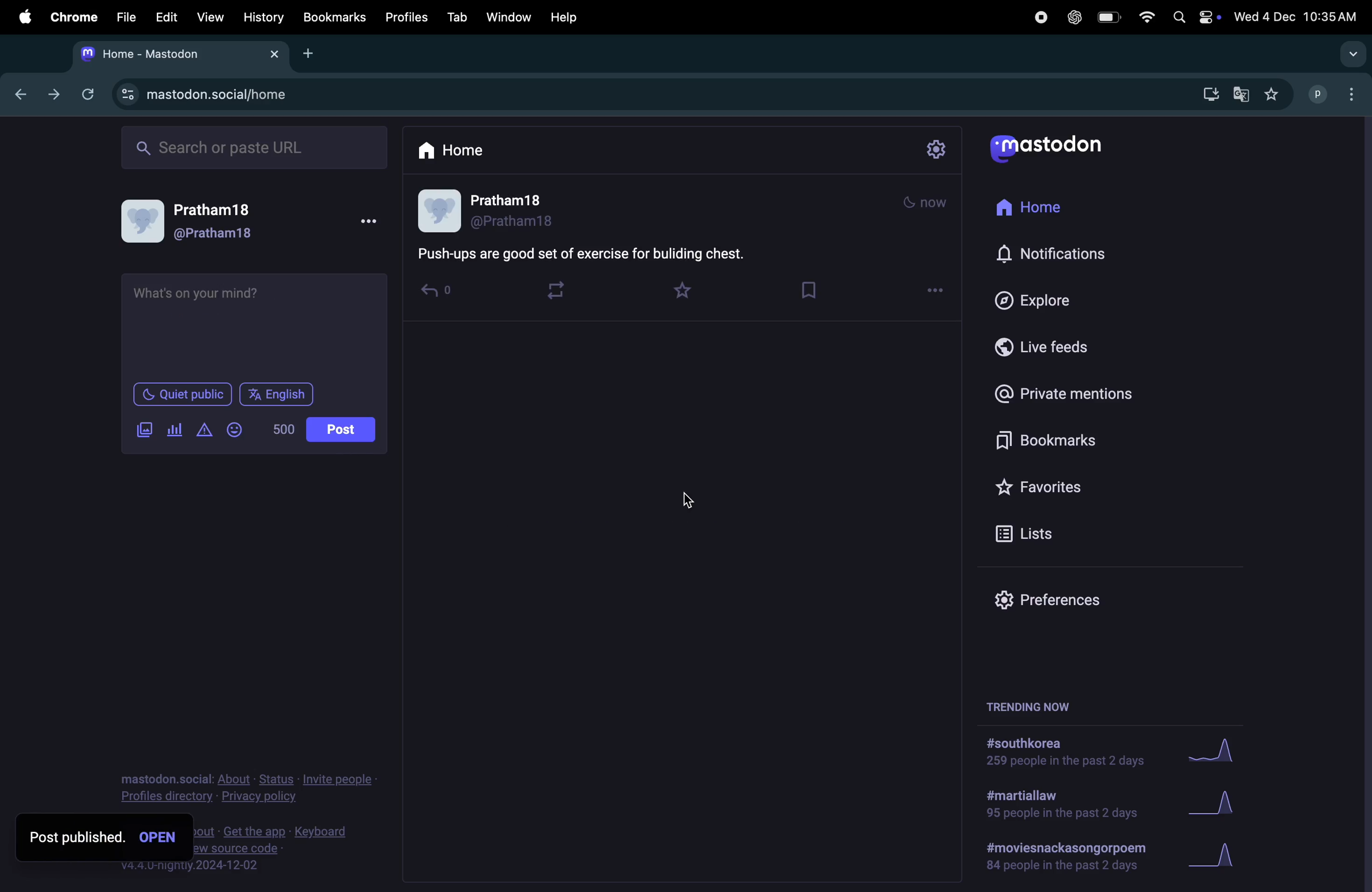  Describe the element at coordinates (175, 430) in the screenshot. I see `poll` at that location.